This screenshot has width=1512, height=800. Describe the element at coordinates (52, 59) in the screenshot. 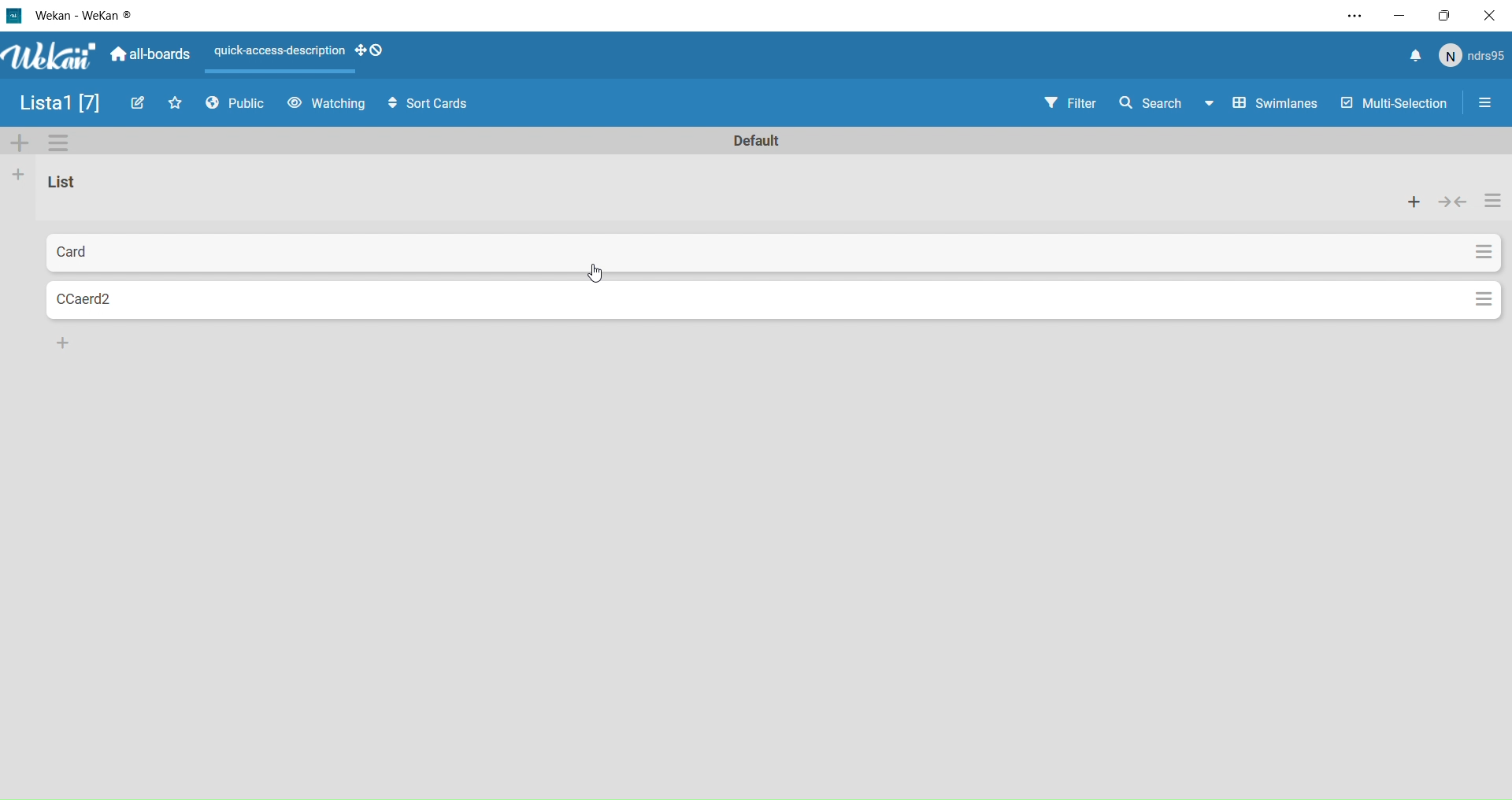

I see `WeKan` at that location.